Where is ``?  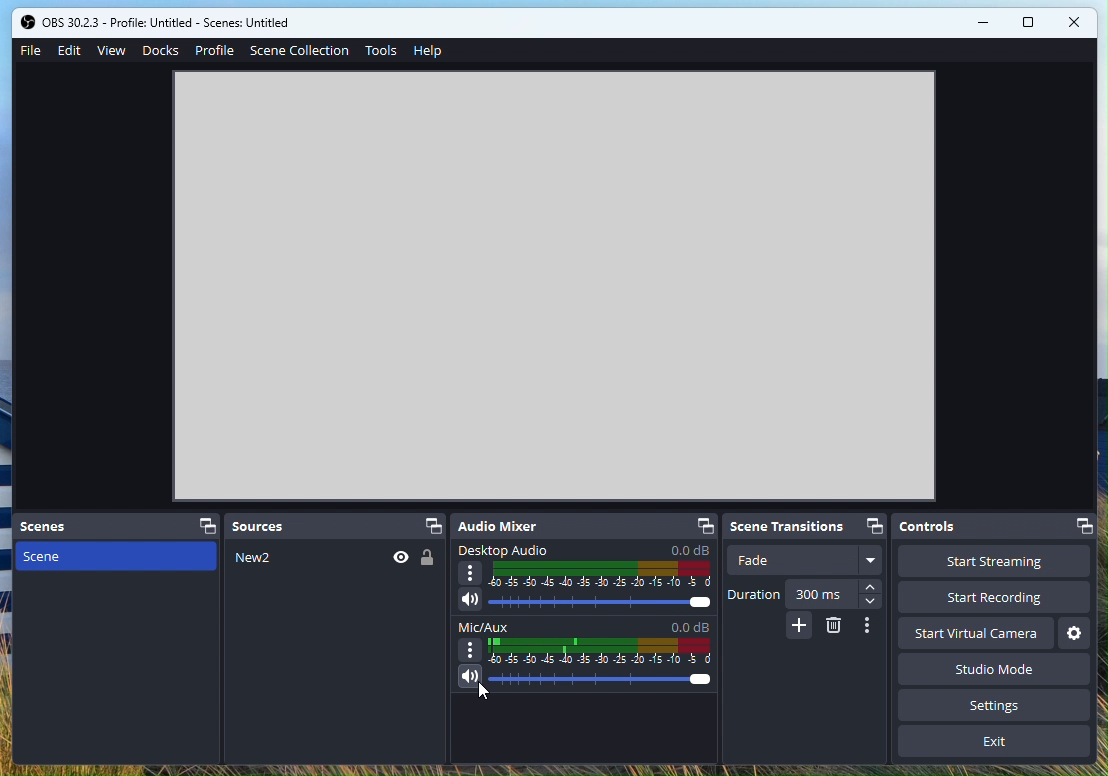
 is located at coordinates (986, 22).